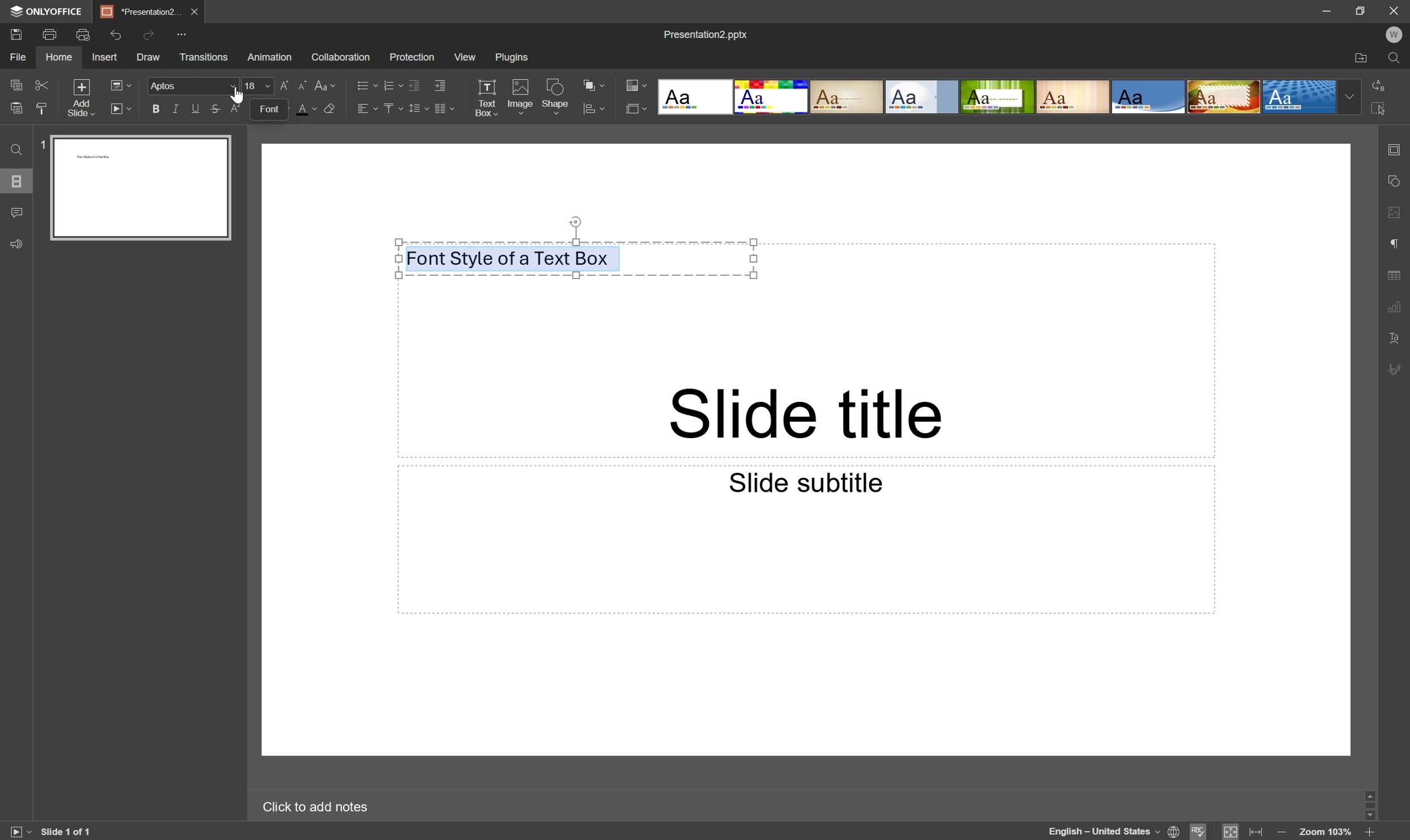 The image size is (1410, 840). What do you see at coordinates (59, 57) in the screenshot?
I see `Home` at bounding box center [59, 57].